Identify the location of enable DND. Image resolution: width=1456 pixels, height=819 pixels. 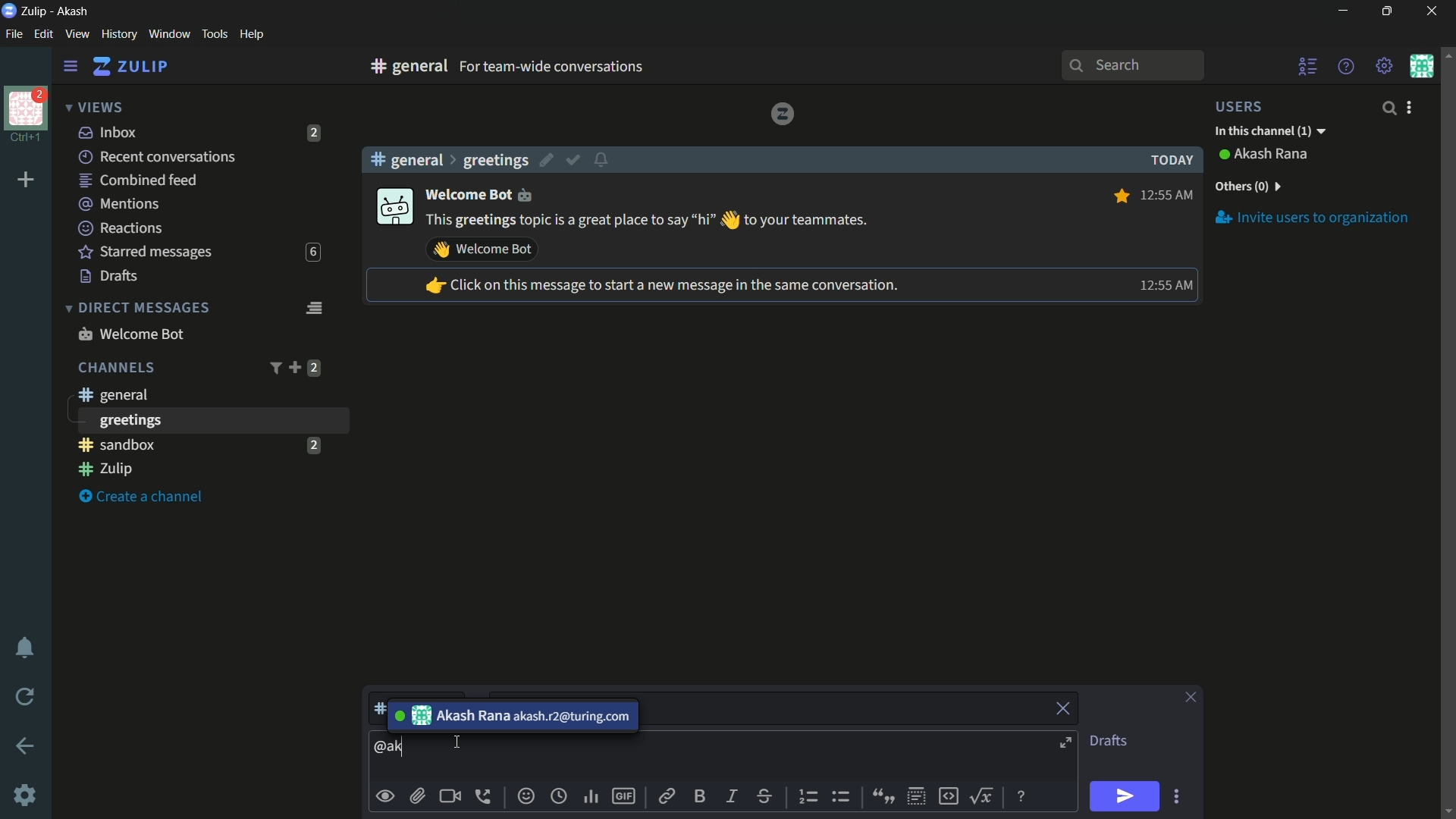
(25, 648).